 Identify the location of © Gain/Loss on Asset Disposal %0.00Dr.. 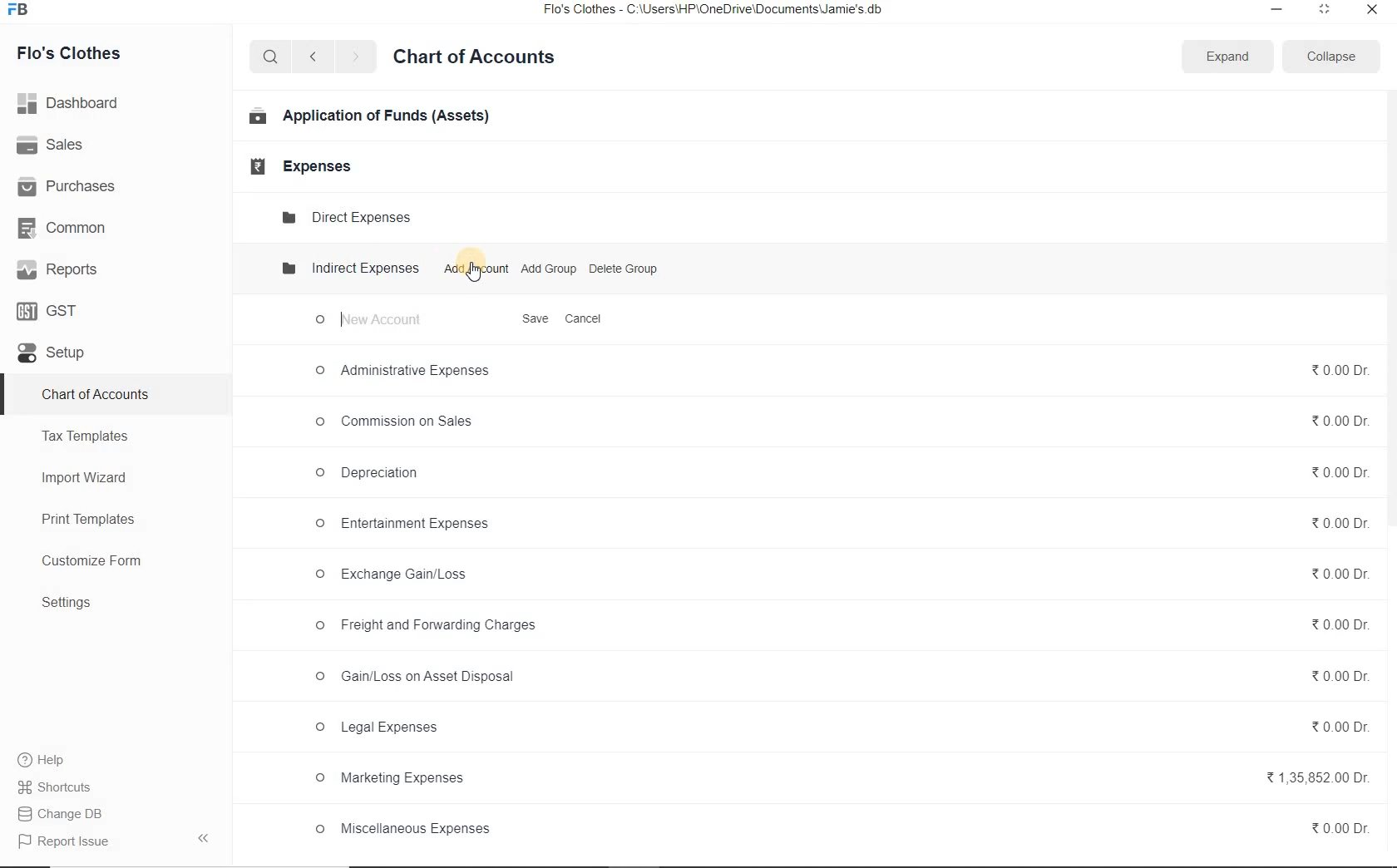
(842, 679).